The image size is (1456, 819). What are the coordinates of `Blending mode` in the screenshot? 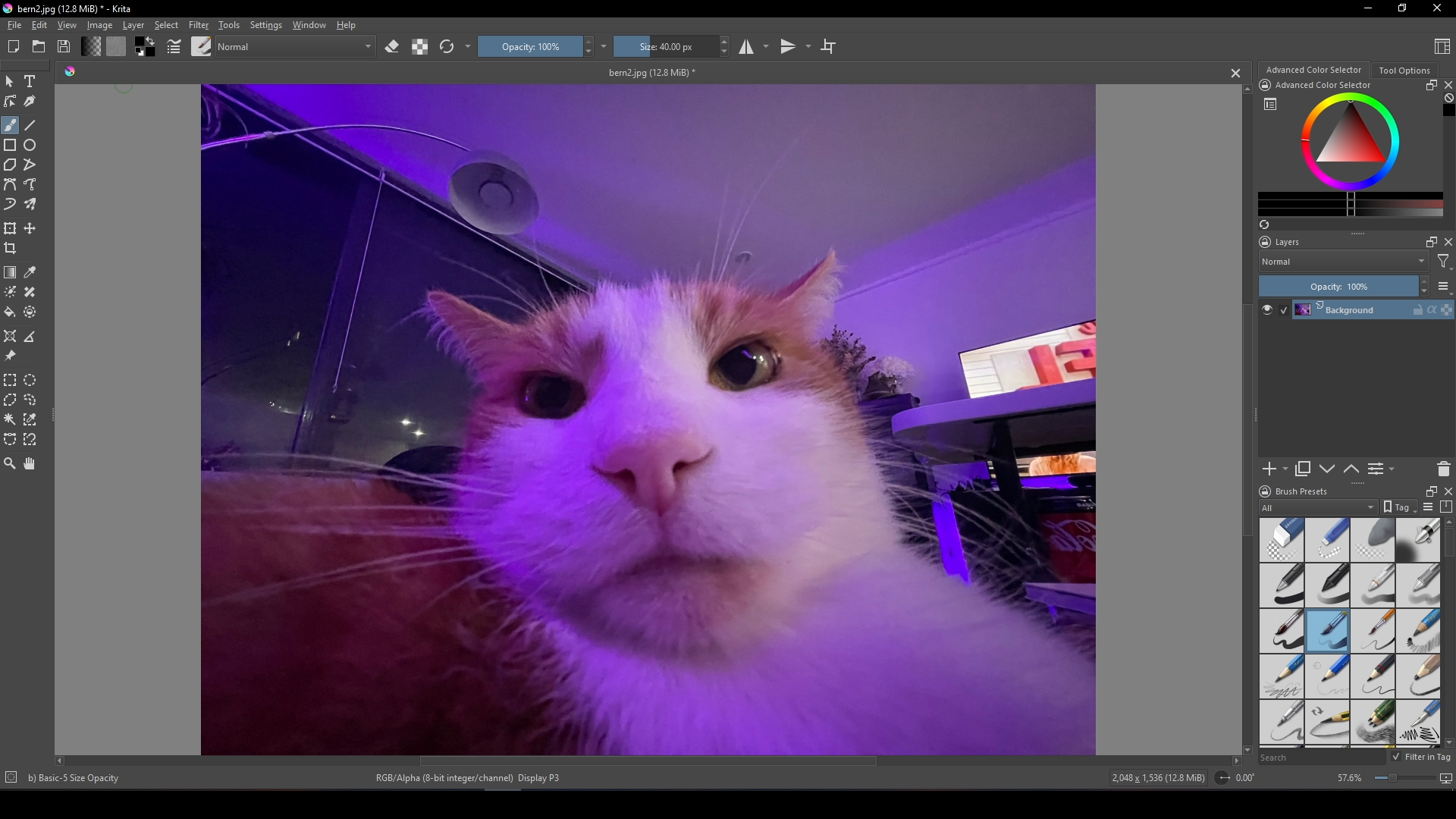 It's located at (298, 46).